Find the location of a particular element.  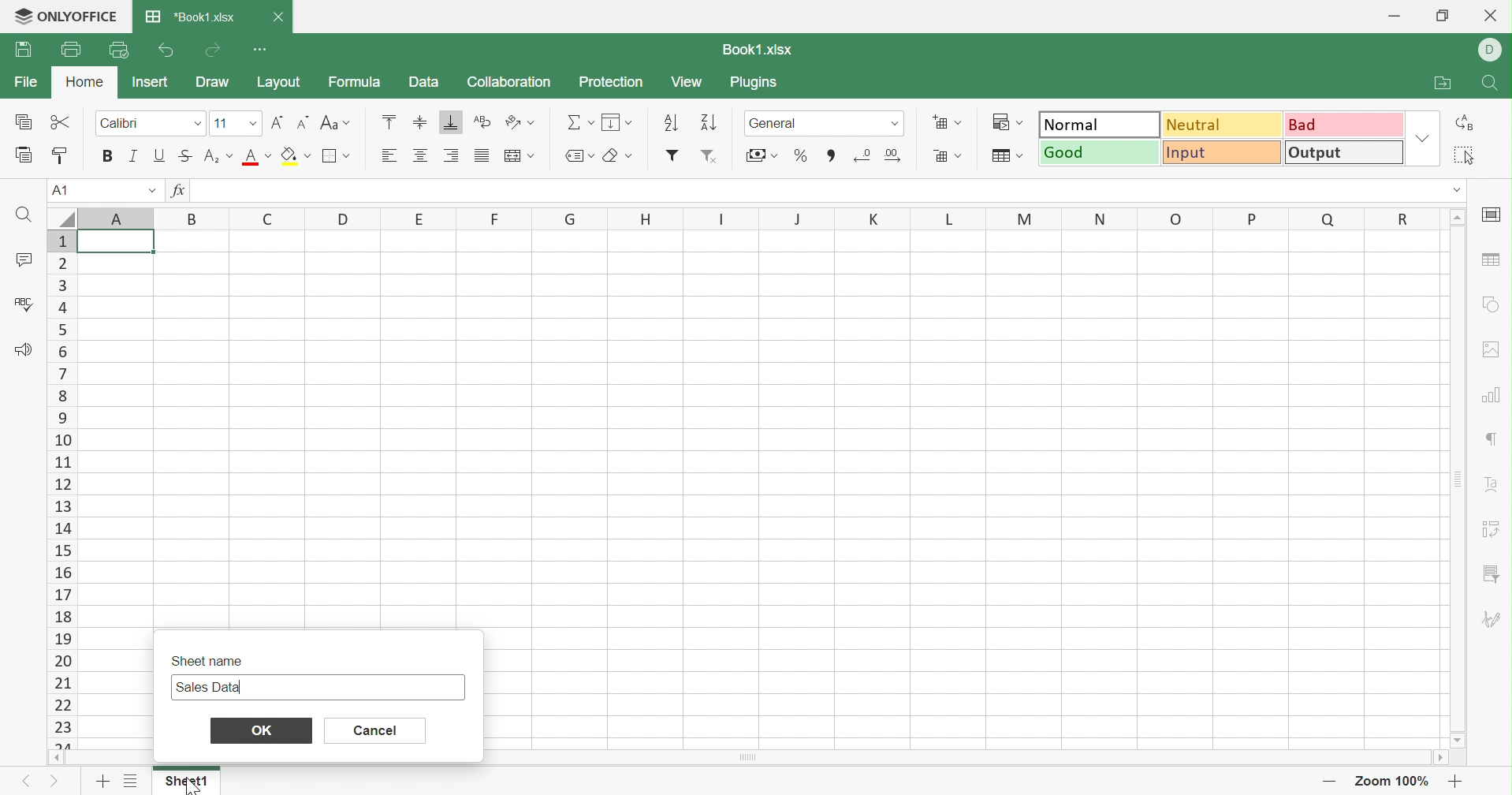

Zoom 100% is located at coordinates (1389, 779).